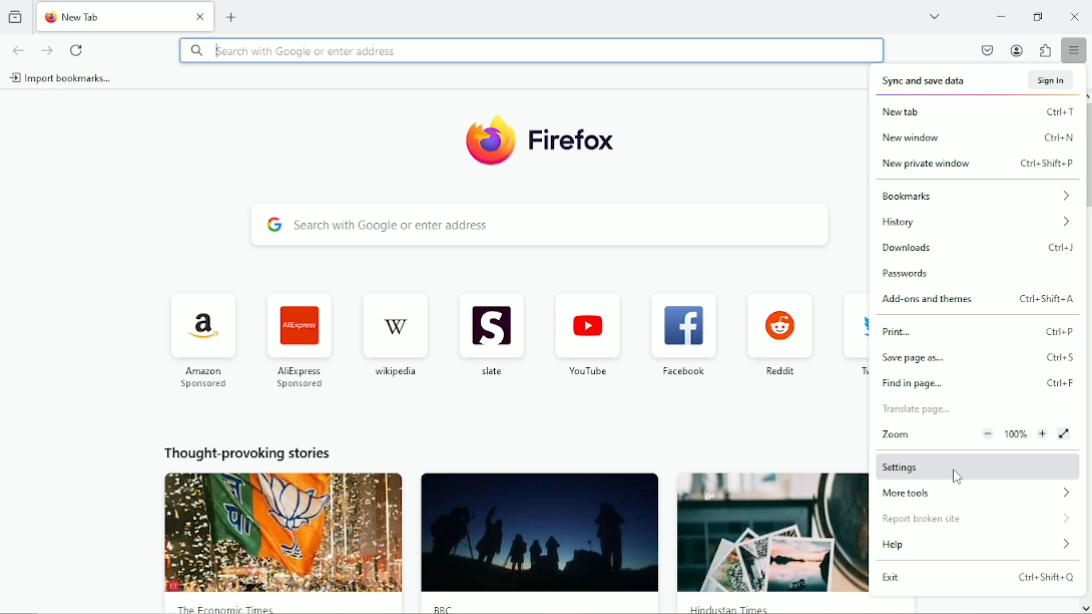 The image size is (1092, 614). I want to click on cursor, so click(957, 476).